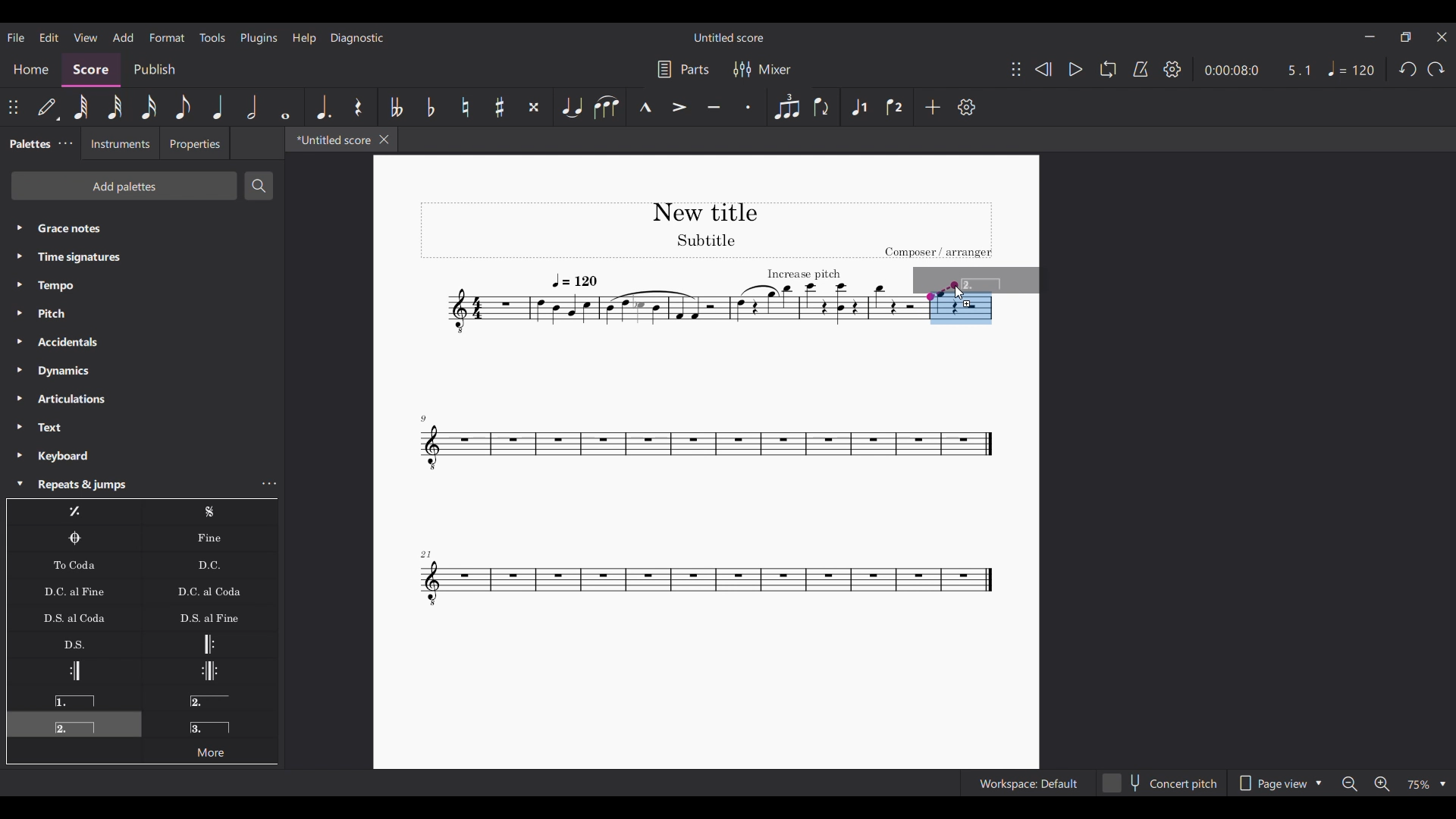 The width and height of the screenshot is (1456, 819). I want to click on D.S., so click(74, 644).